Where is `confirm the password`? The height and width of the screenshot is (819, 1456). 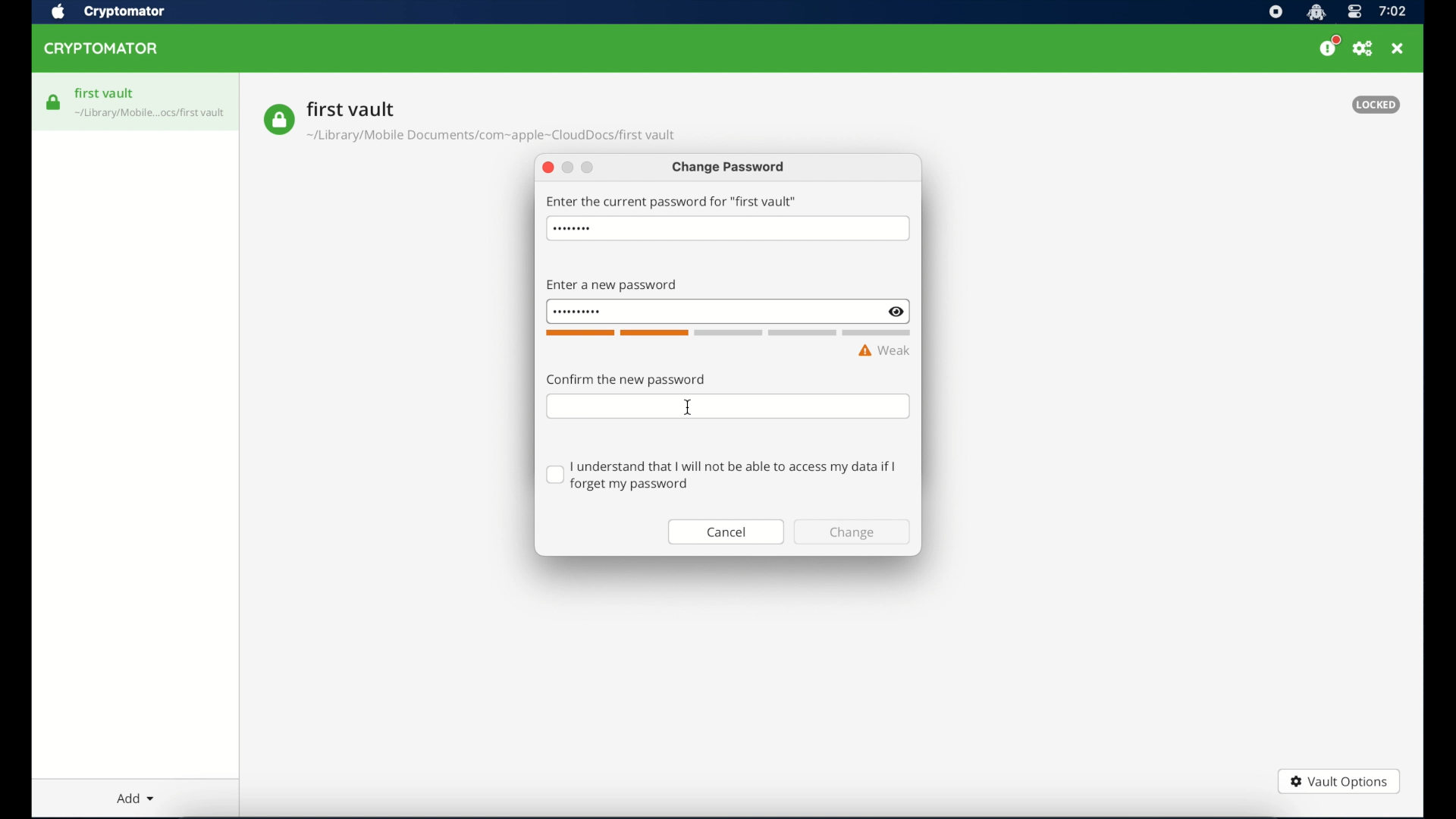 confirm the password is located at coordinates (626, 379).